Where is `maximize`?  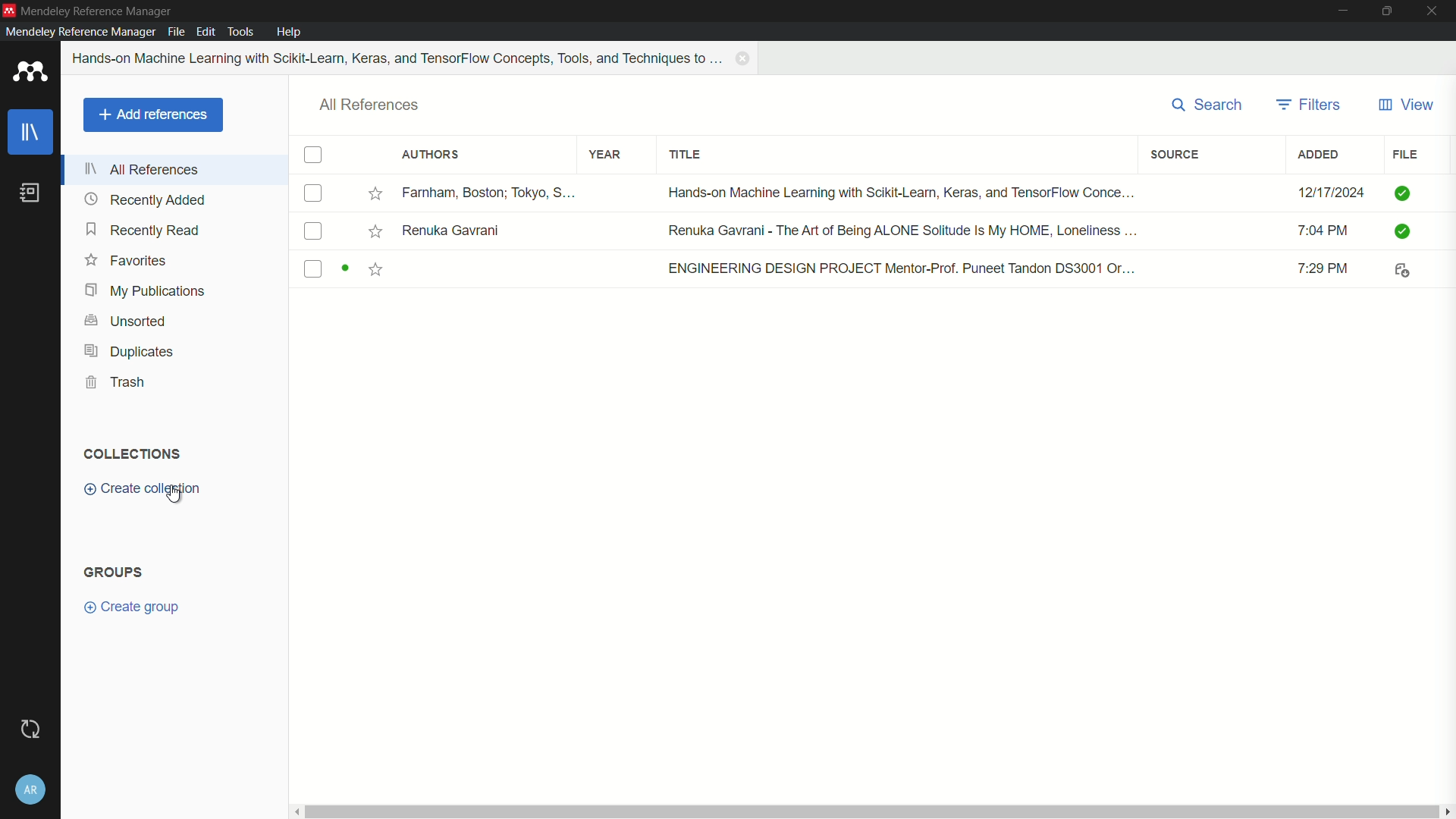
maximize is located at coordinates (1391, 11).